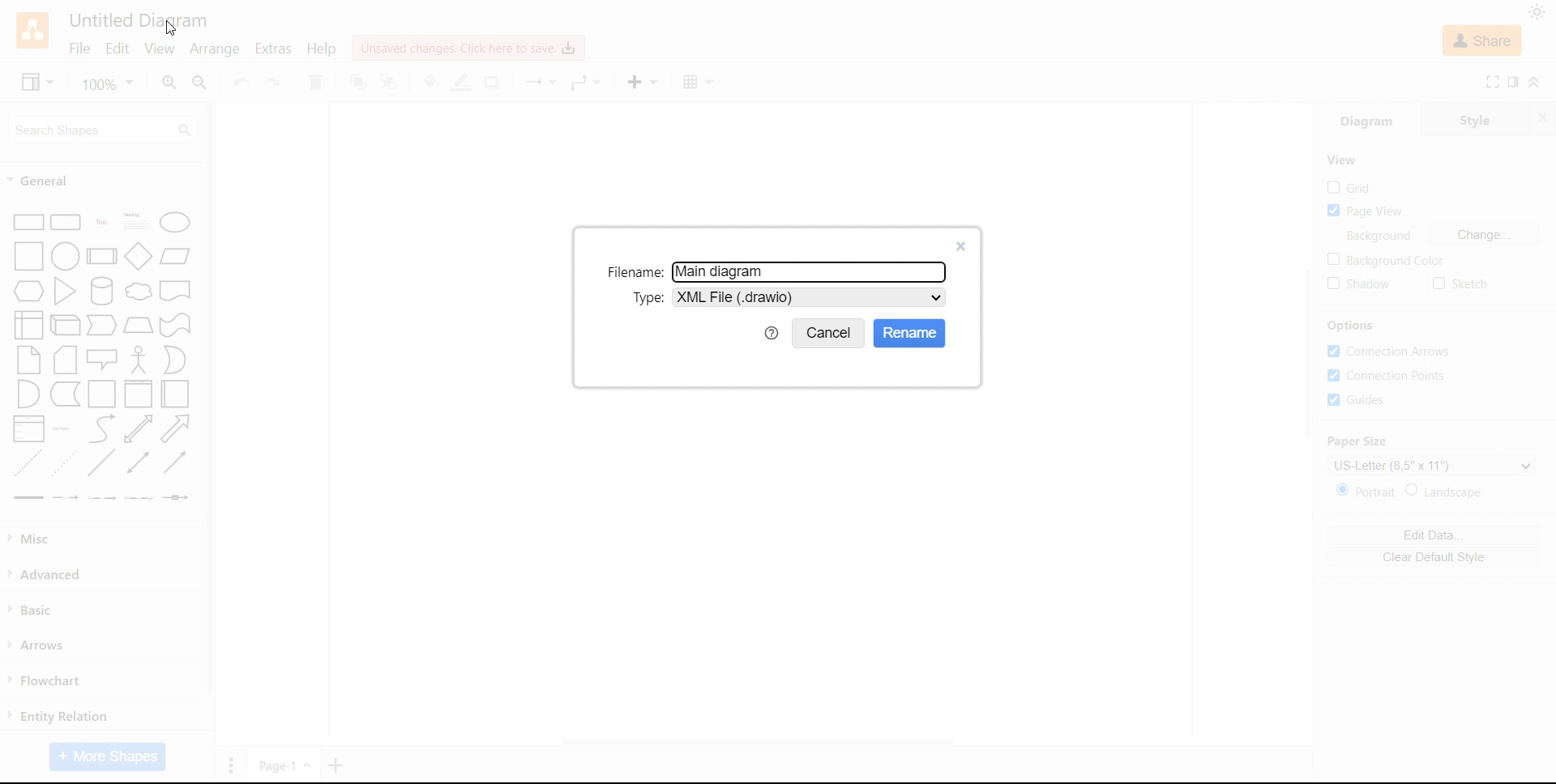 This screenshot has height=784, width=1556. I want to click on Landscape , so click(1447, 491).